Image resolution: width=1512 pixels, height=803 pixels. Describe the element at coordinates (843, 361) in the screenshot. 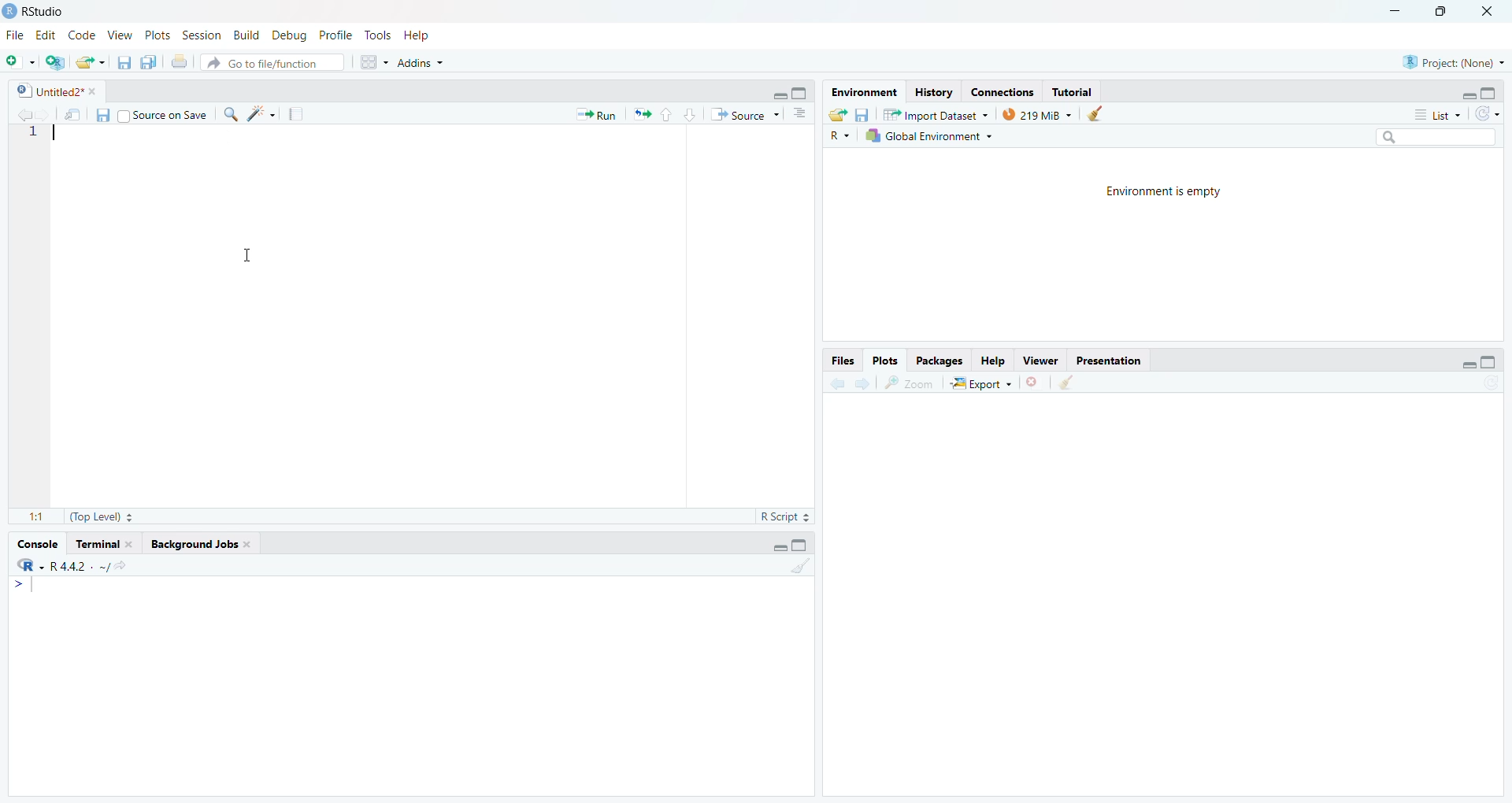

I see `Files` at that location.